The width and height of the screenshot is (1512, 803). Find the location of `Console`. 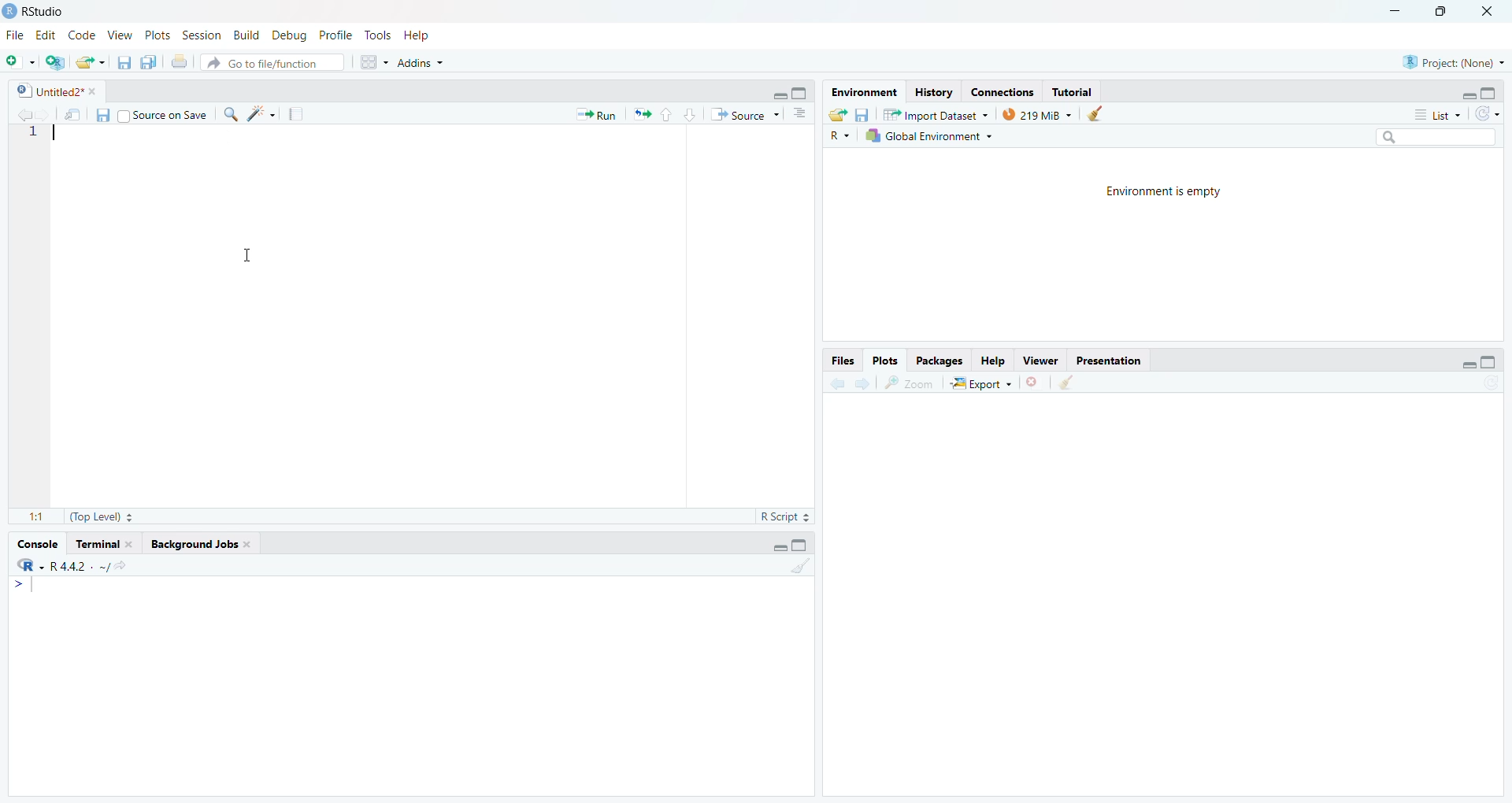

Console is located at coordinates (411, 685).